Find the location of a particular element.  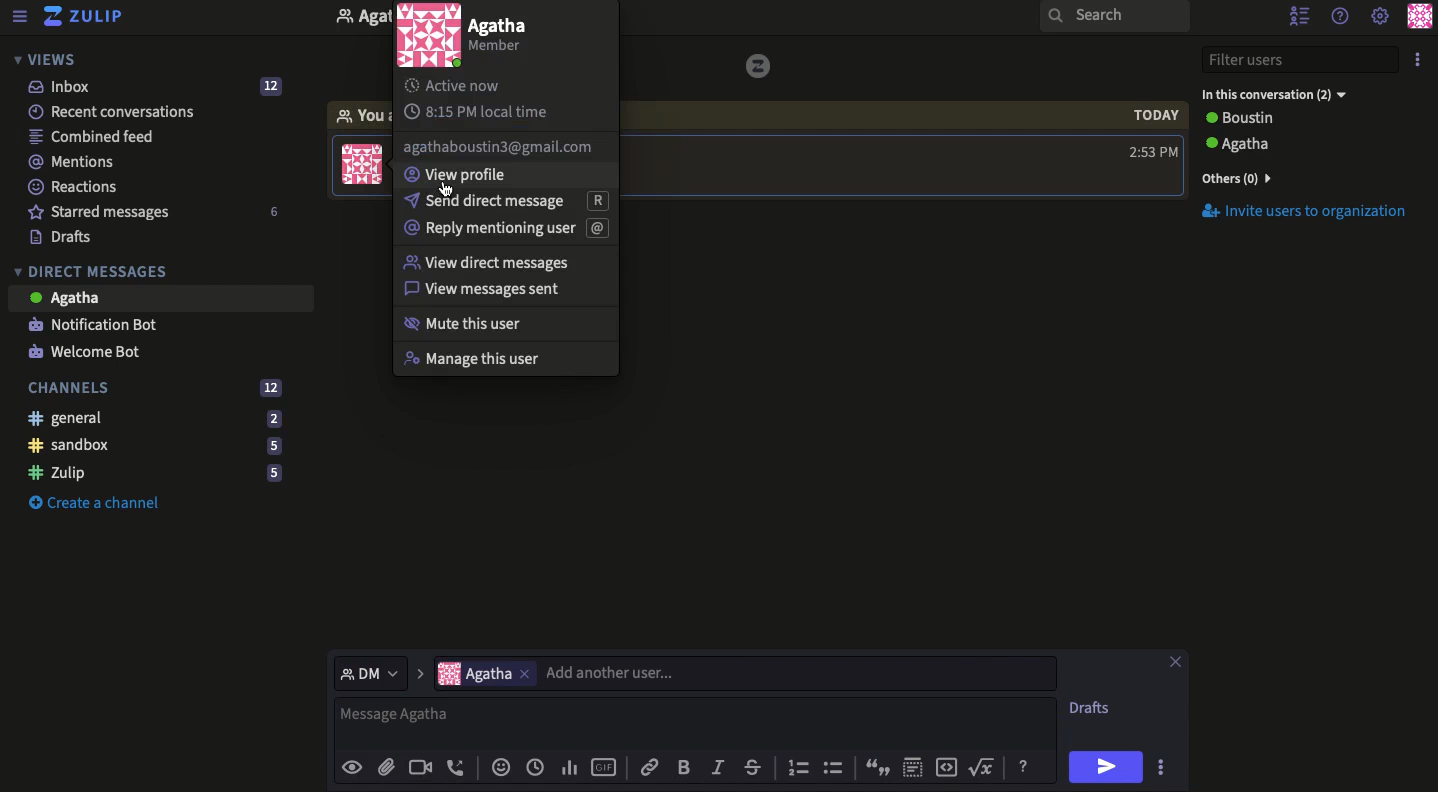

File is located at coordinates (386, 769).